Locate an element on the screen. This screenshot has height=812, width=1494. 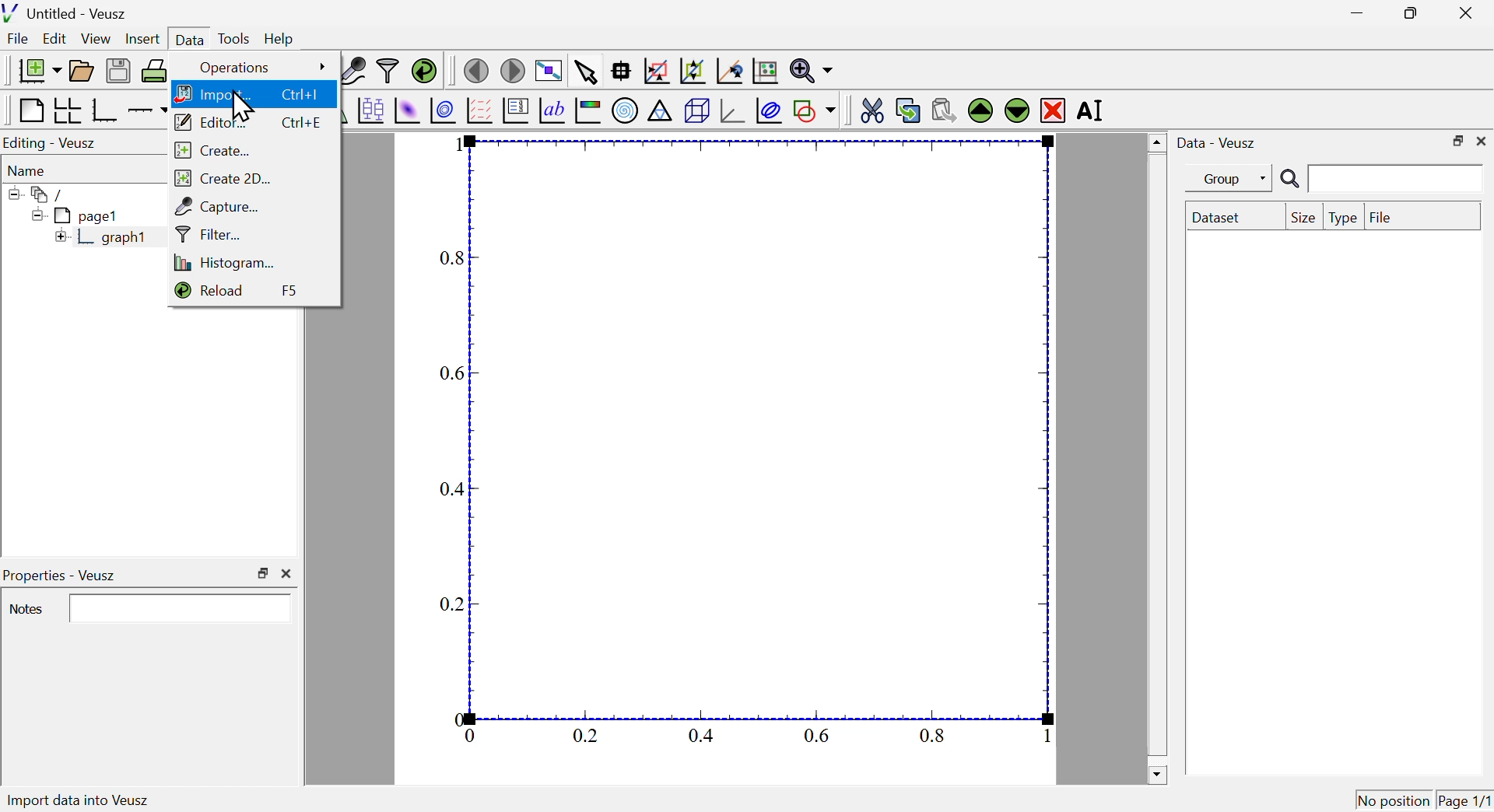
view plot full screen is located at coordinates (549, 69).